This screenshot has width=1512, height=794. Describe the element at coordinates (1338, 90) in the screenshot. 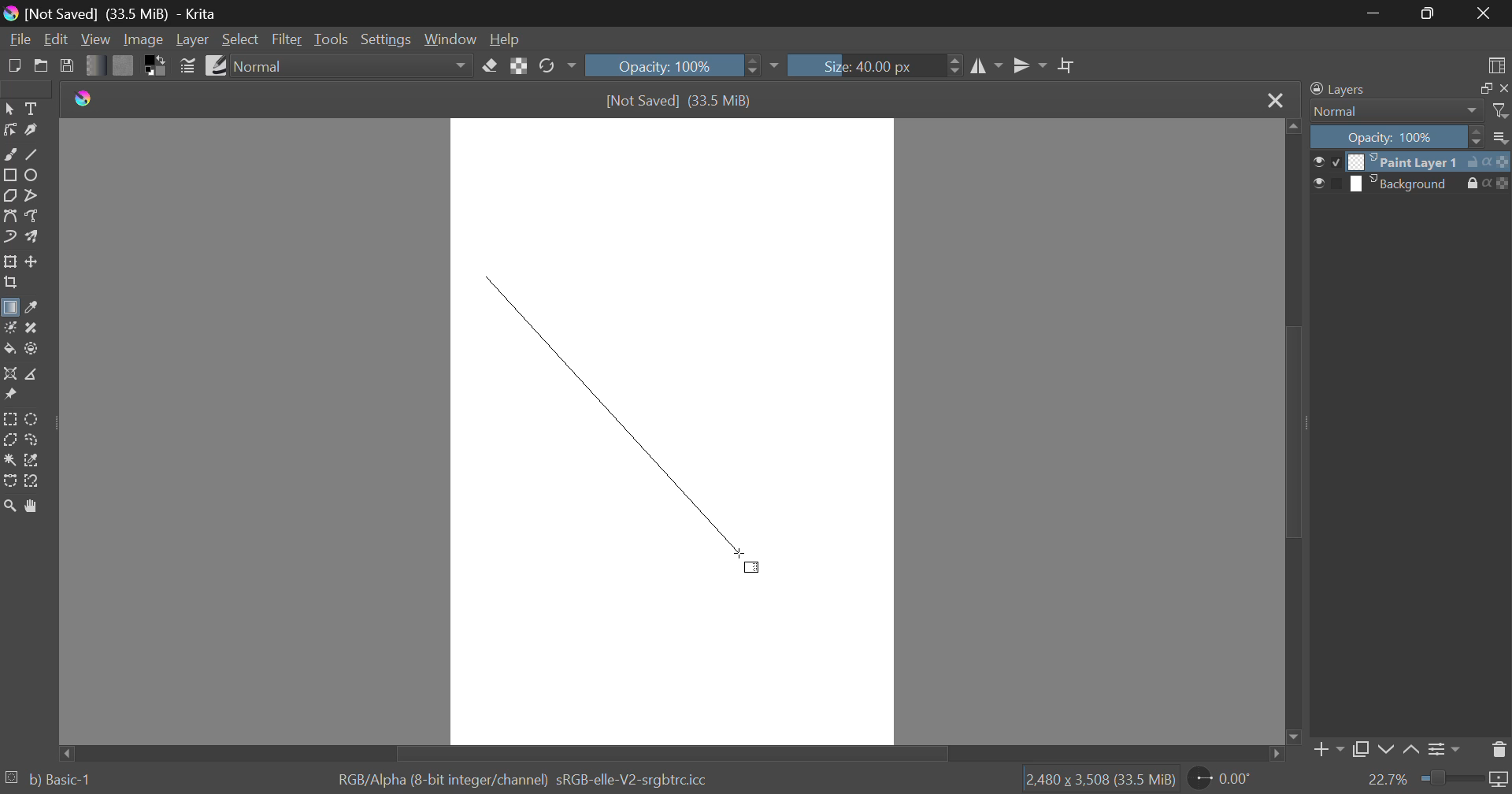

I see `Layers` at that location.